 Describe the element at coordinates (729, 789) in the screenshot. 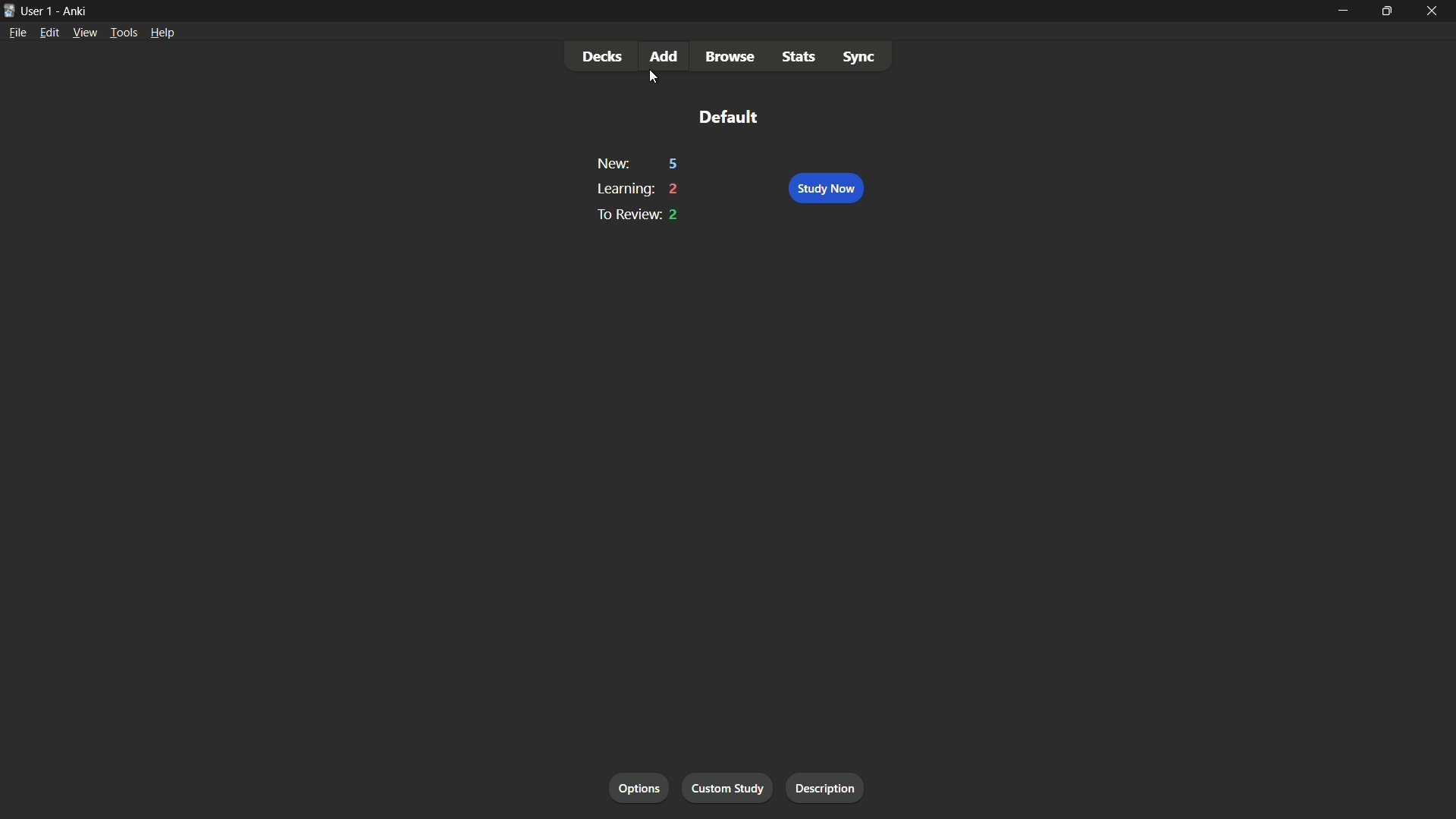

I see `custom study` at that location.